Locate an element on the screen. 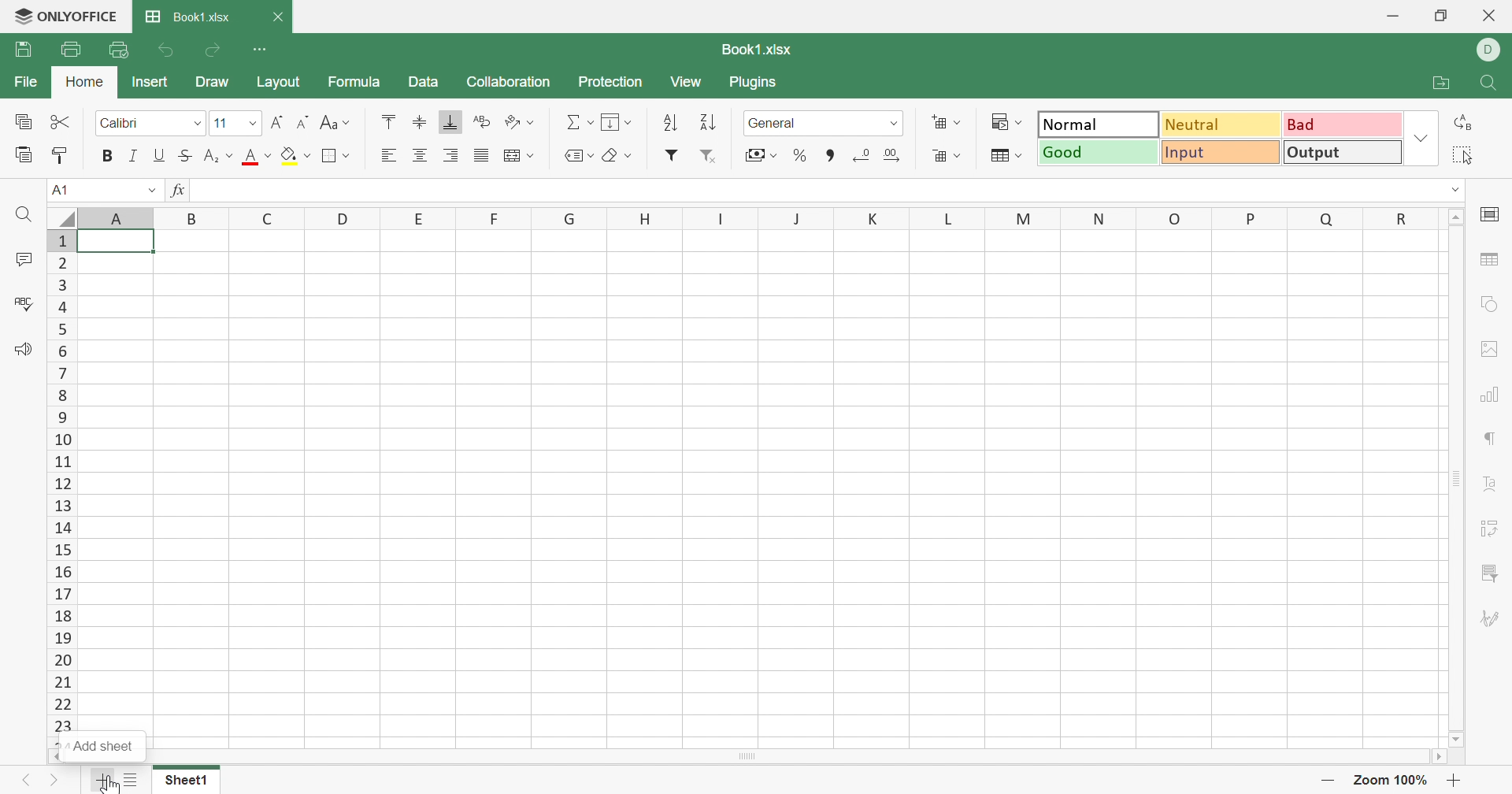 The image size is (1512, 794). Underline is located at coordinates (160, 155).